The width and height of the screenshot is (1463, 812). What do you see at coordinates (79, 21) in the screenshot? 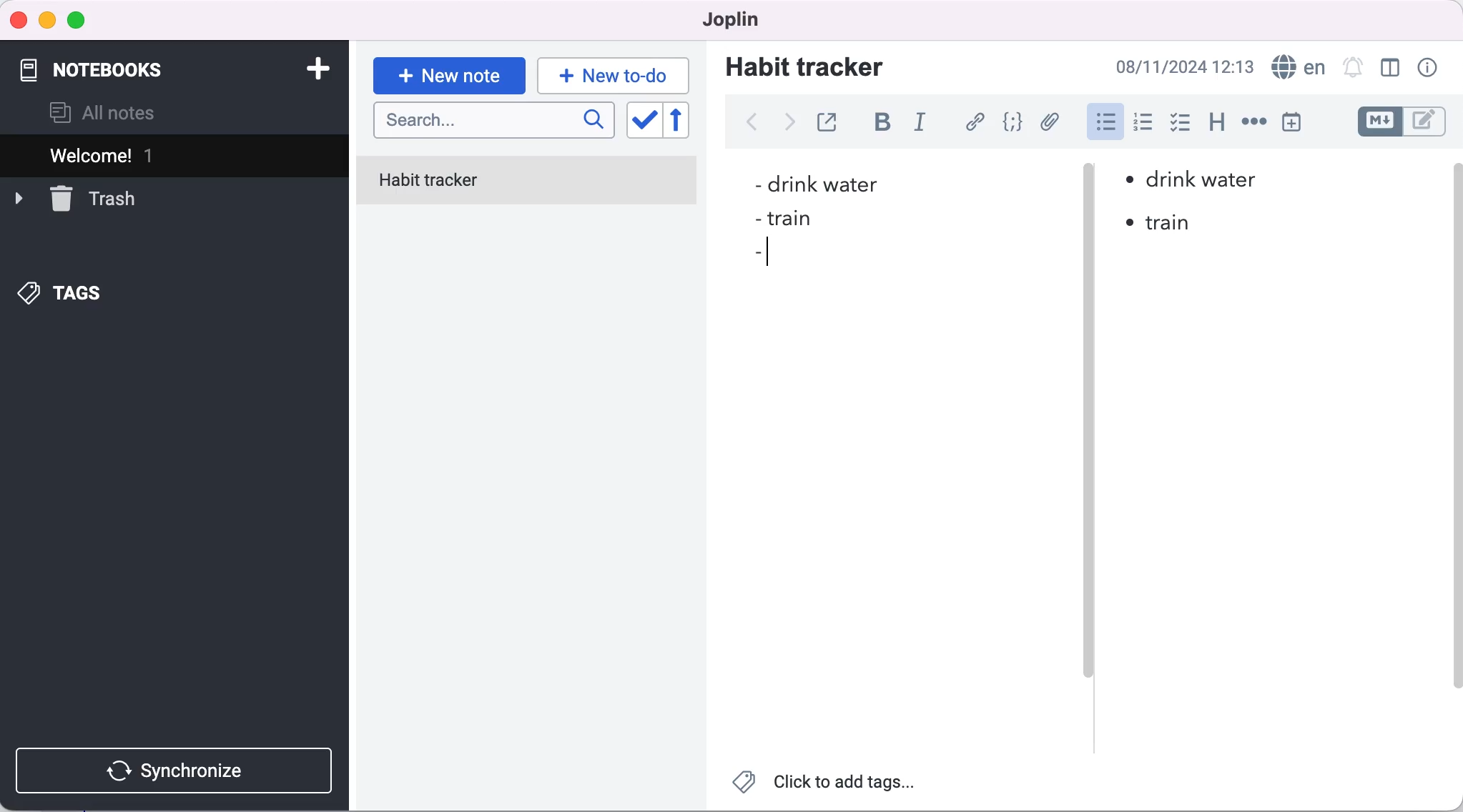
I see `maximize` at bounding box center [79, 21].